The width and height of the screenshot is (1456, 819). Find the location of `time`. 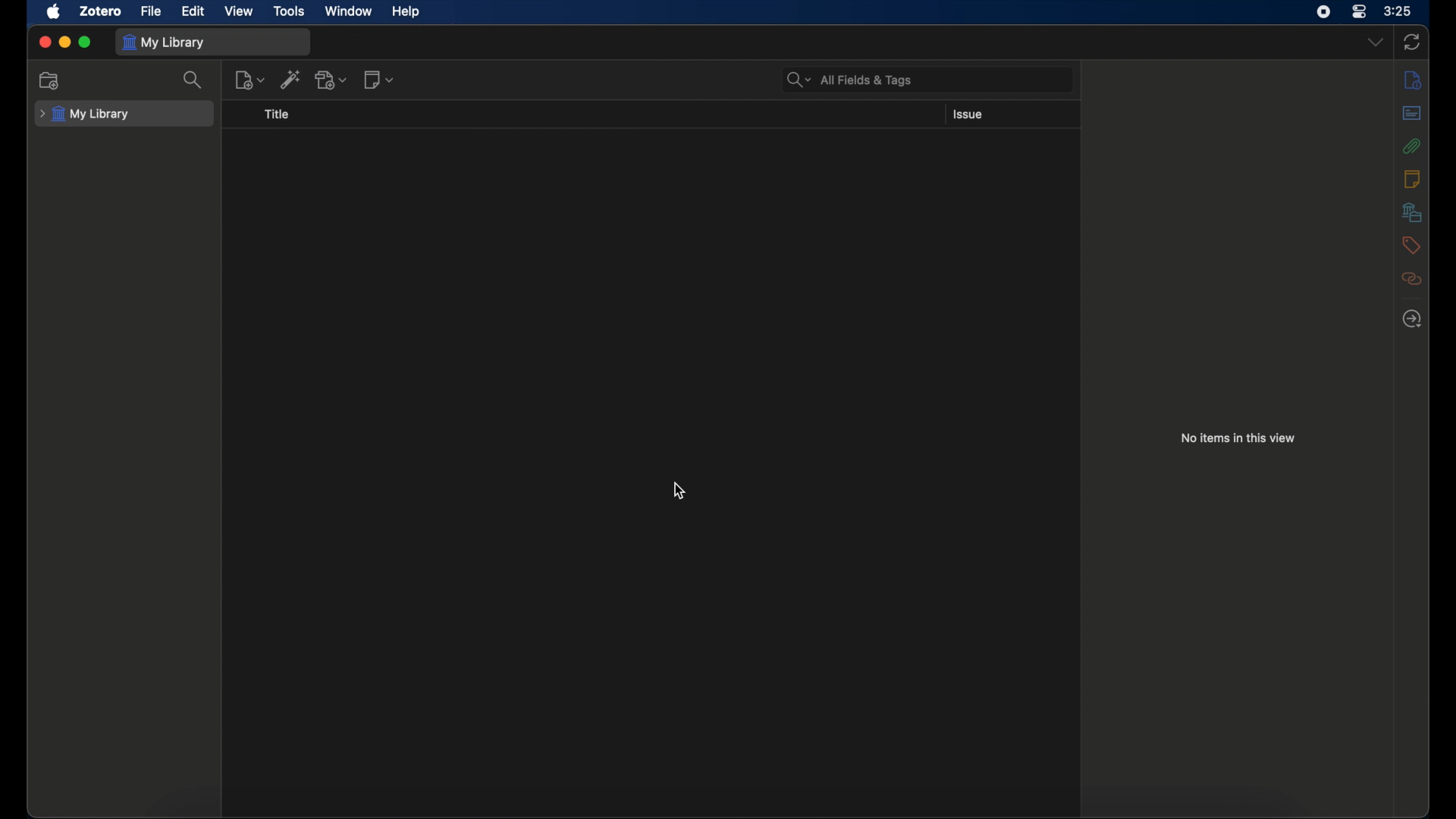

time is located at coordinates (1398, 11).